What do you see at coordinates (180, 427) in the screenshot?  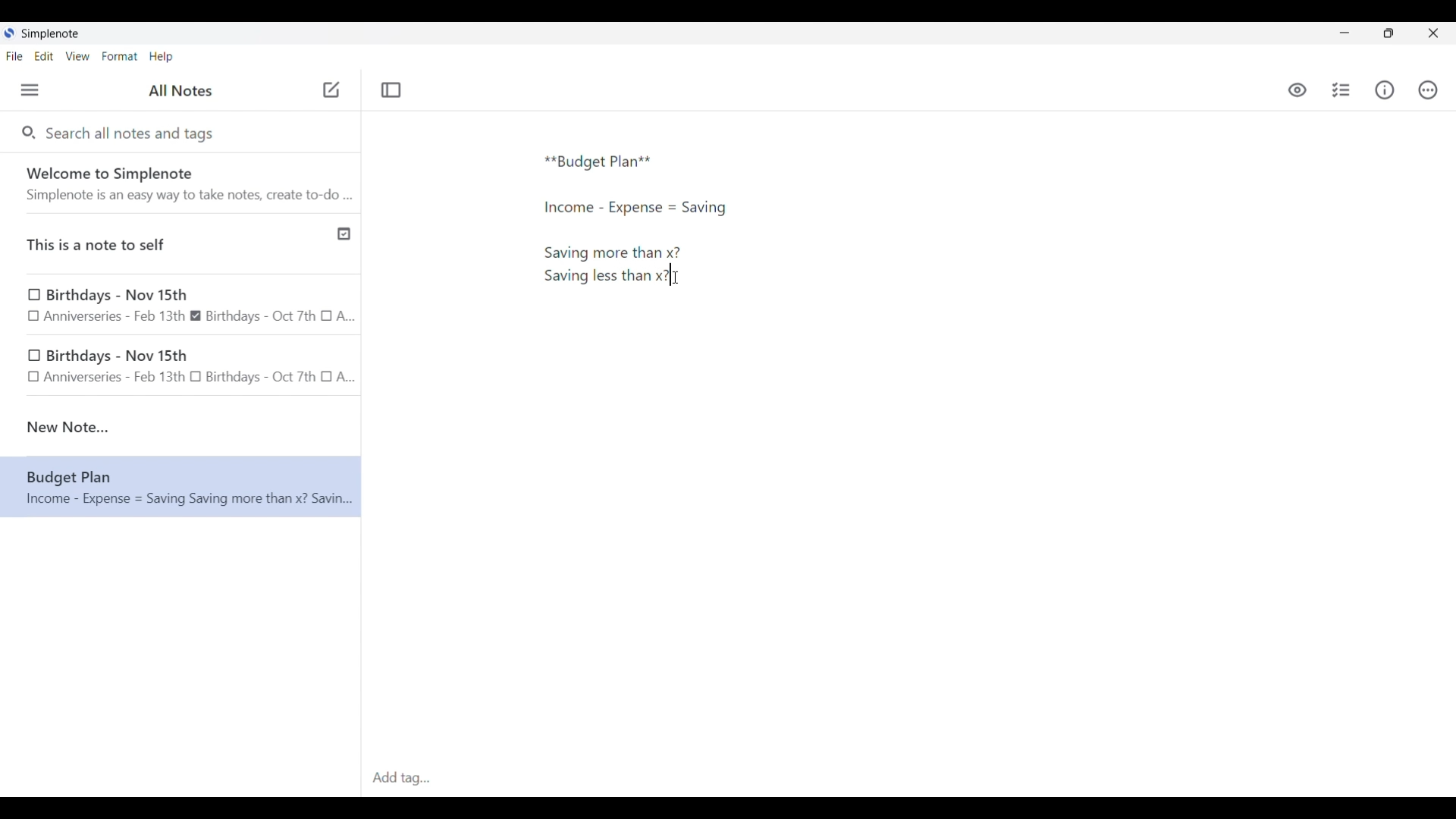 I see `new note` at bounding box center [180, 427].